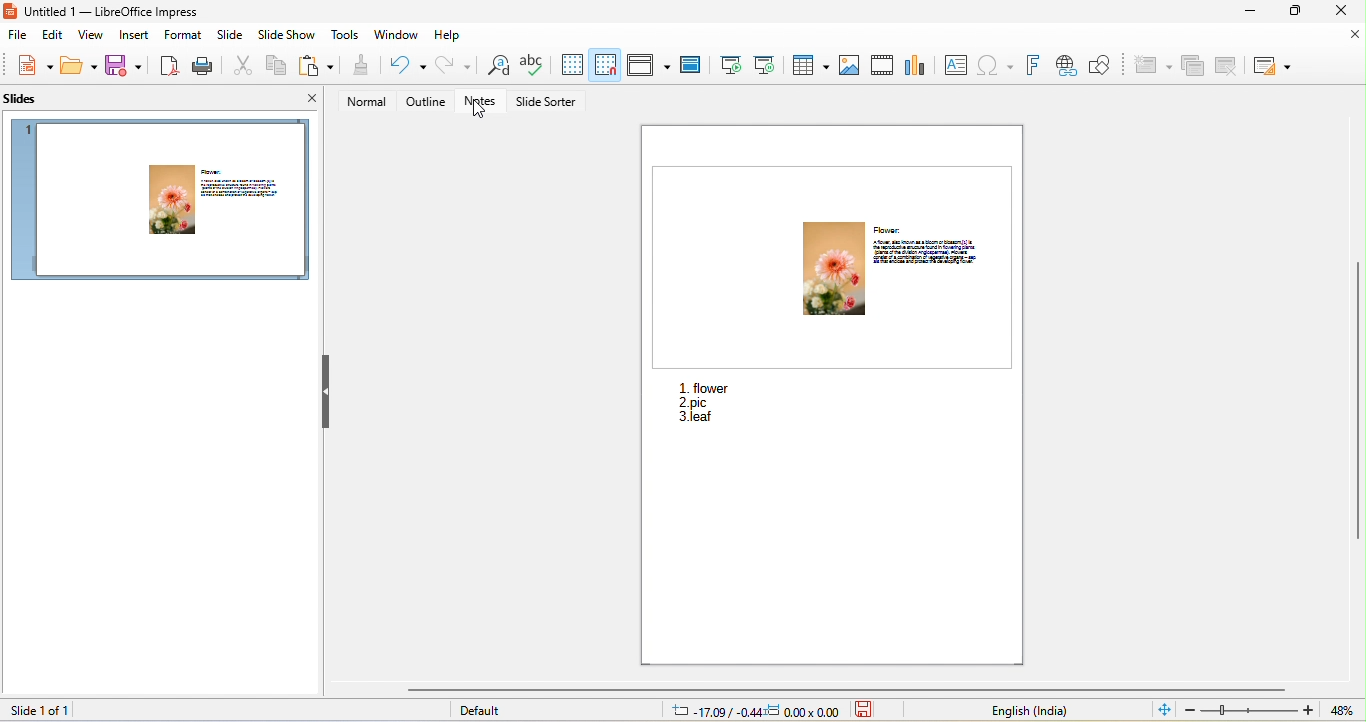  Describe the element at coordinates (1299, 11) in the screenshot. I see `maximize` at that location.